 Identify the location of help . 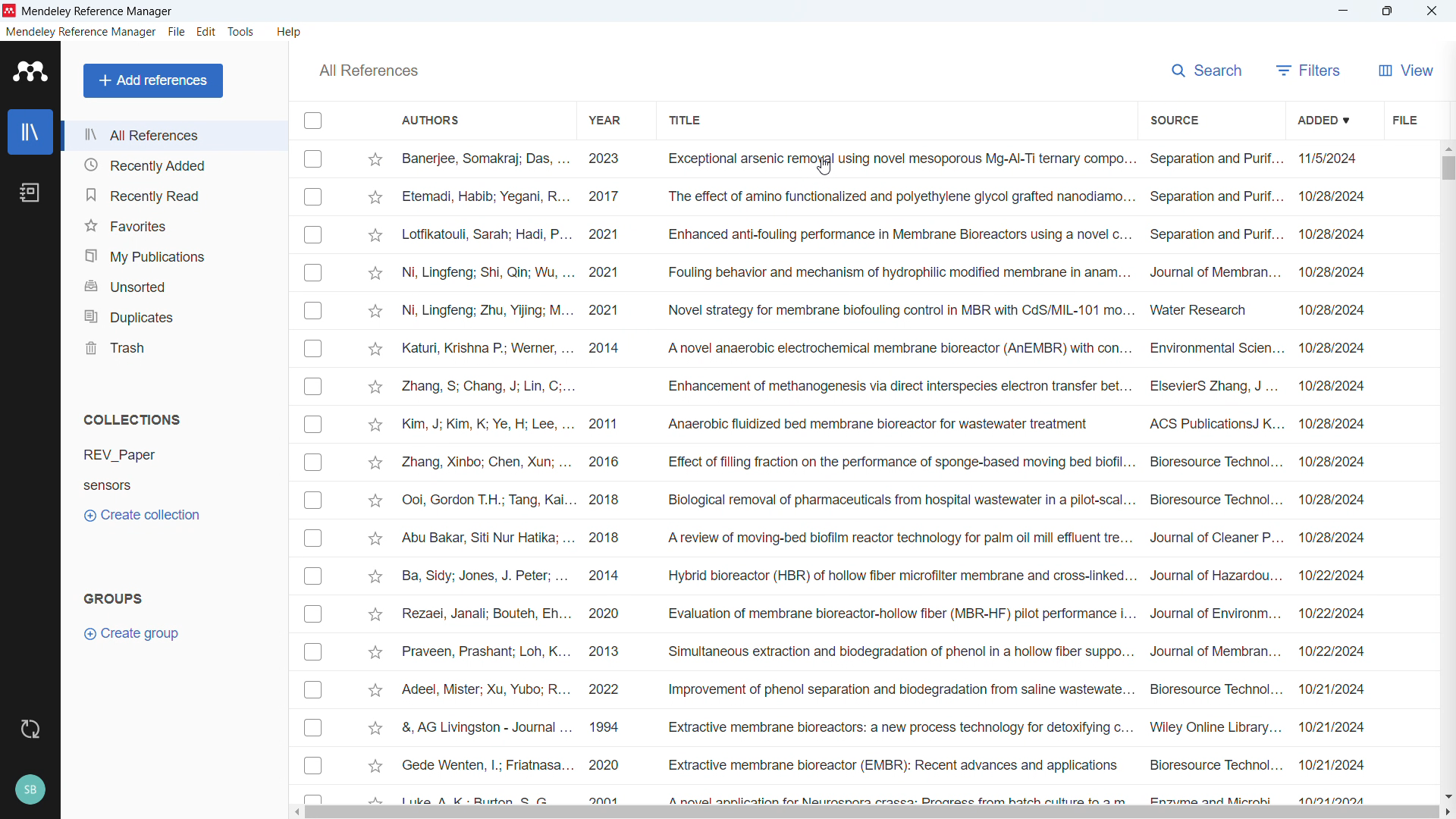
(291, 32).